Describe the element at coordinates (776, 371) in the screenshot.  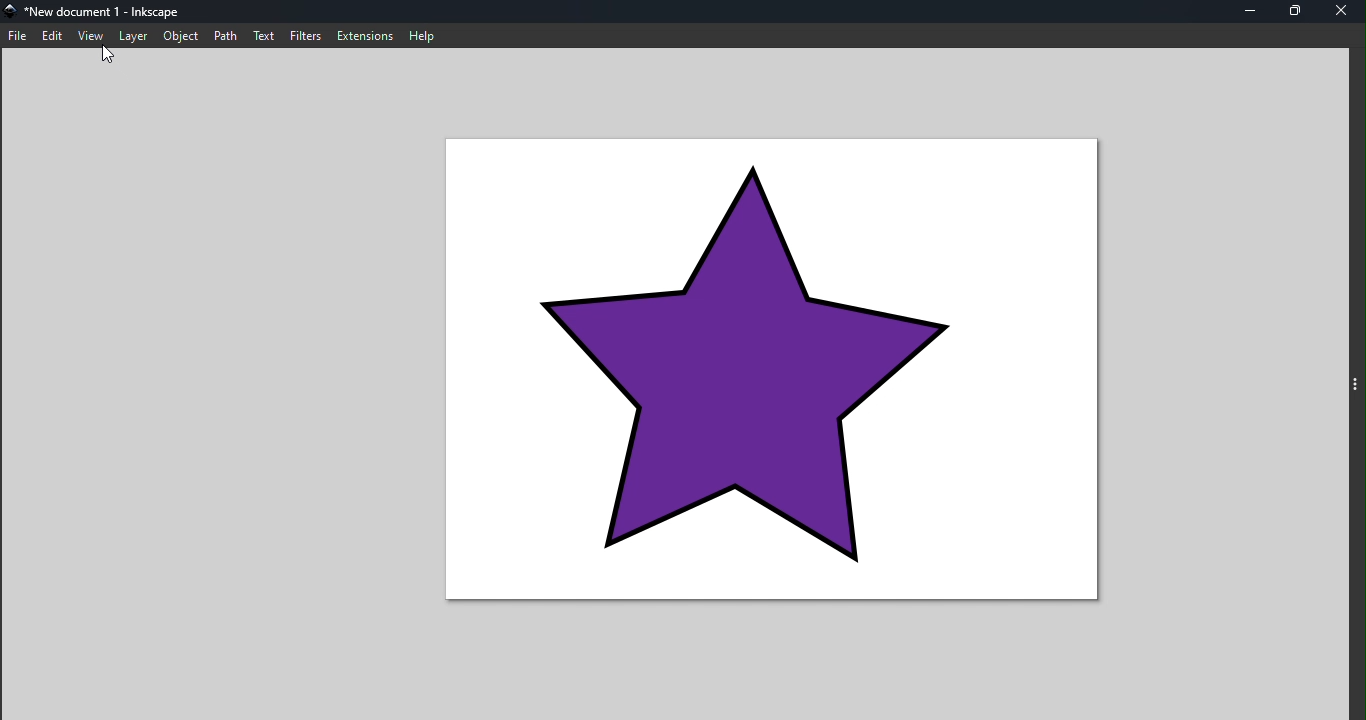
I see `Canvas` at that location.